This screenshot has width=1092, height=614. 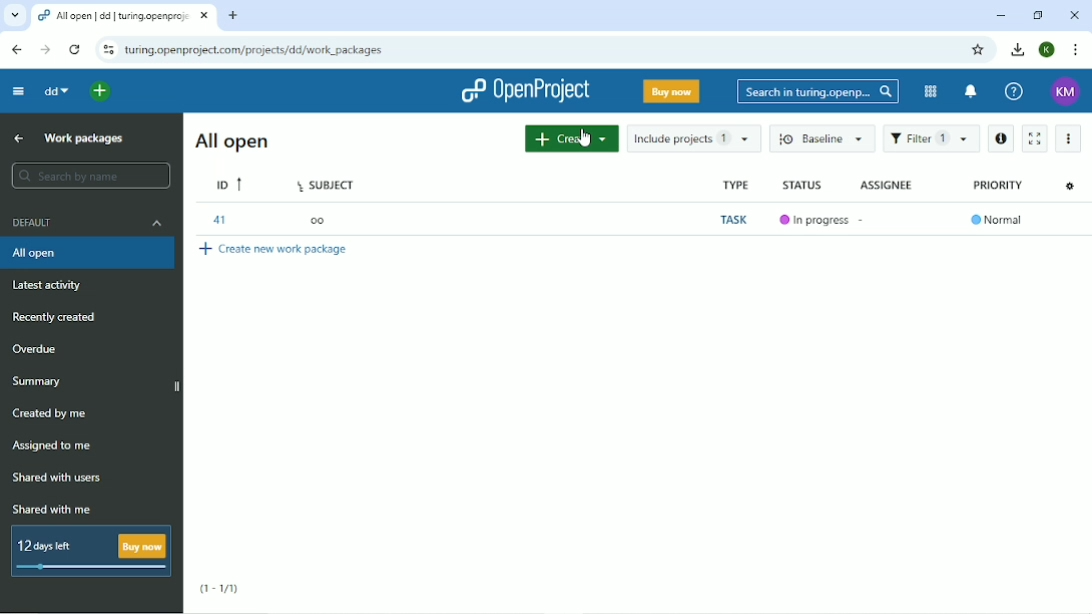 What do you see at coordinates (735, 220) in the screenshot?
I see `Task` at bounding box center [735, 220].